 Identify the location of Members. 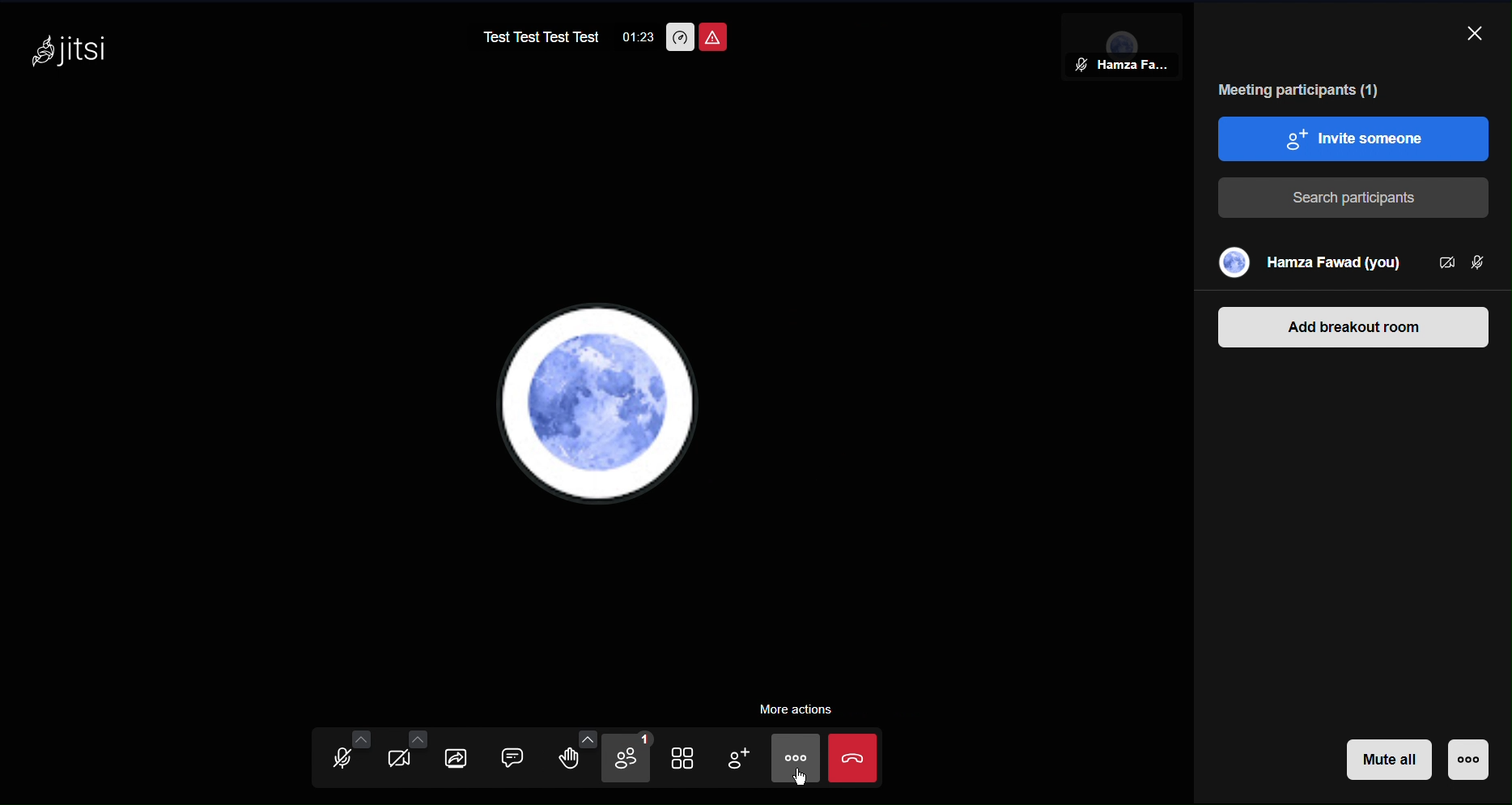
(1349, 262).